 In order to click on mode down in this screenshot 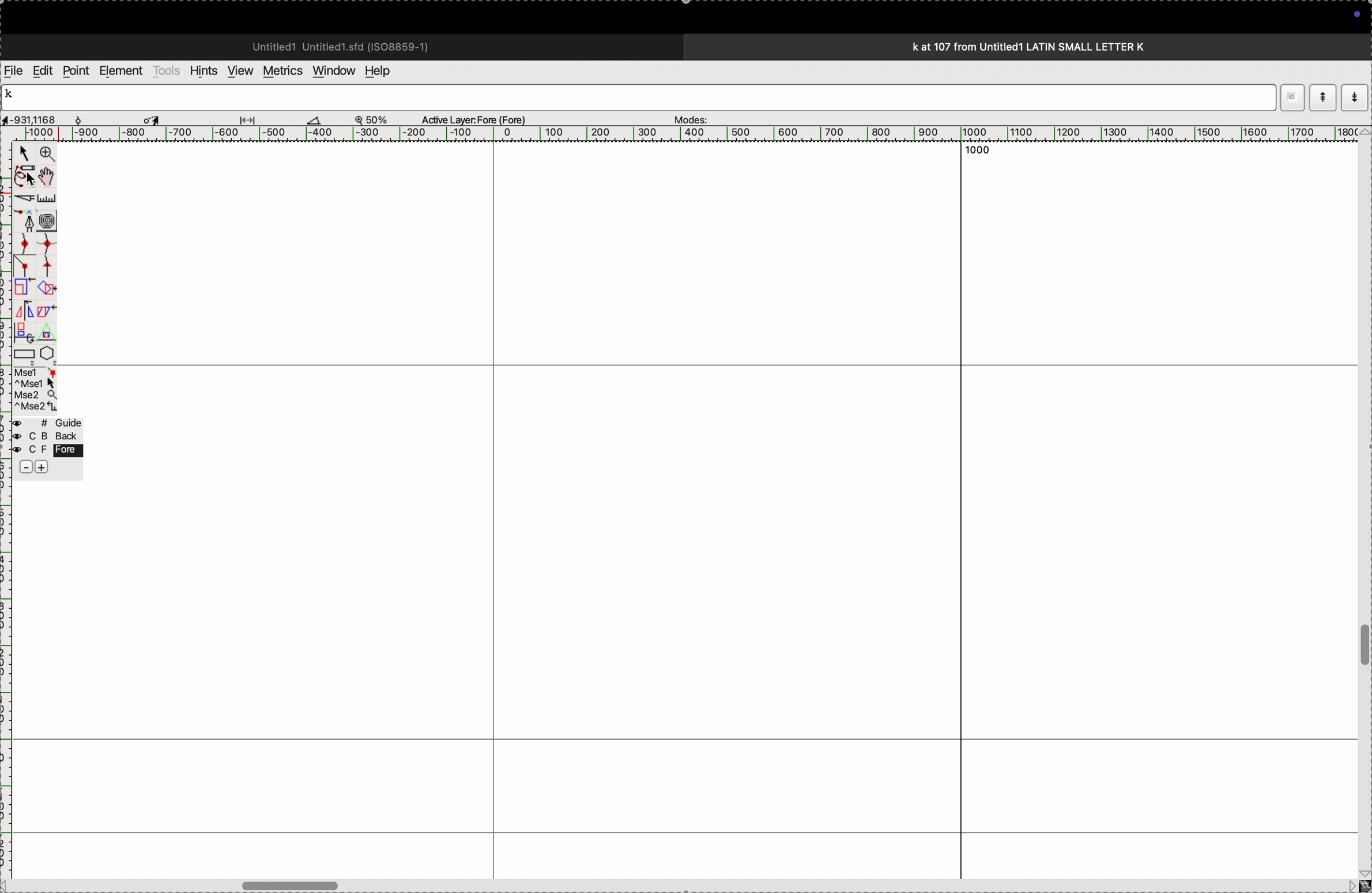, I will do `click(1356, 96)`.